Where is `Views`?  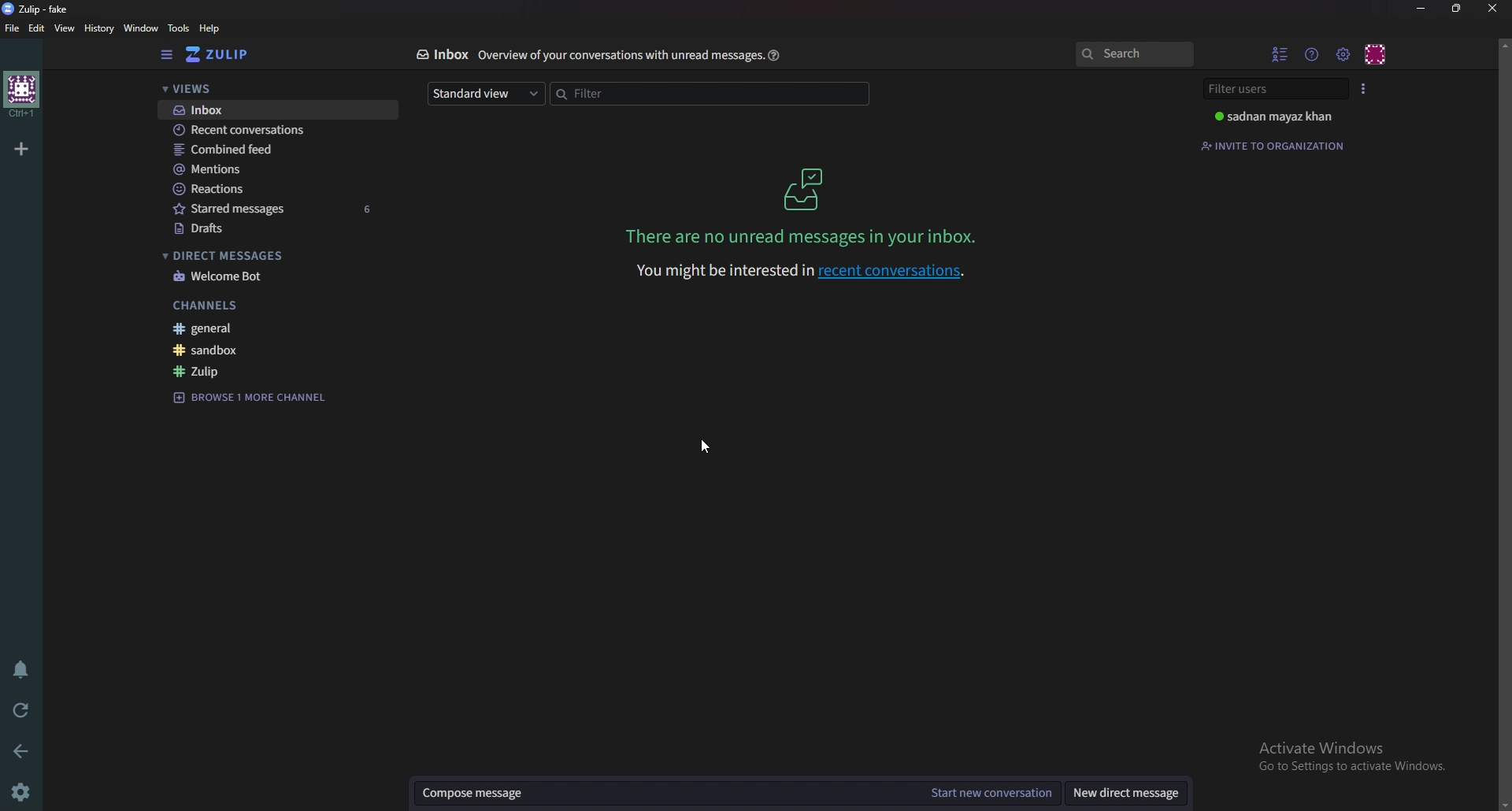 Views is located at coordinates (266, 87).